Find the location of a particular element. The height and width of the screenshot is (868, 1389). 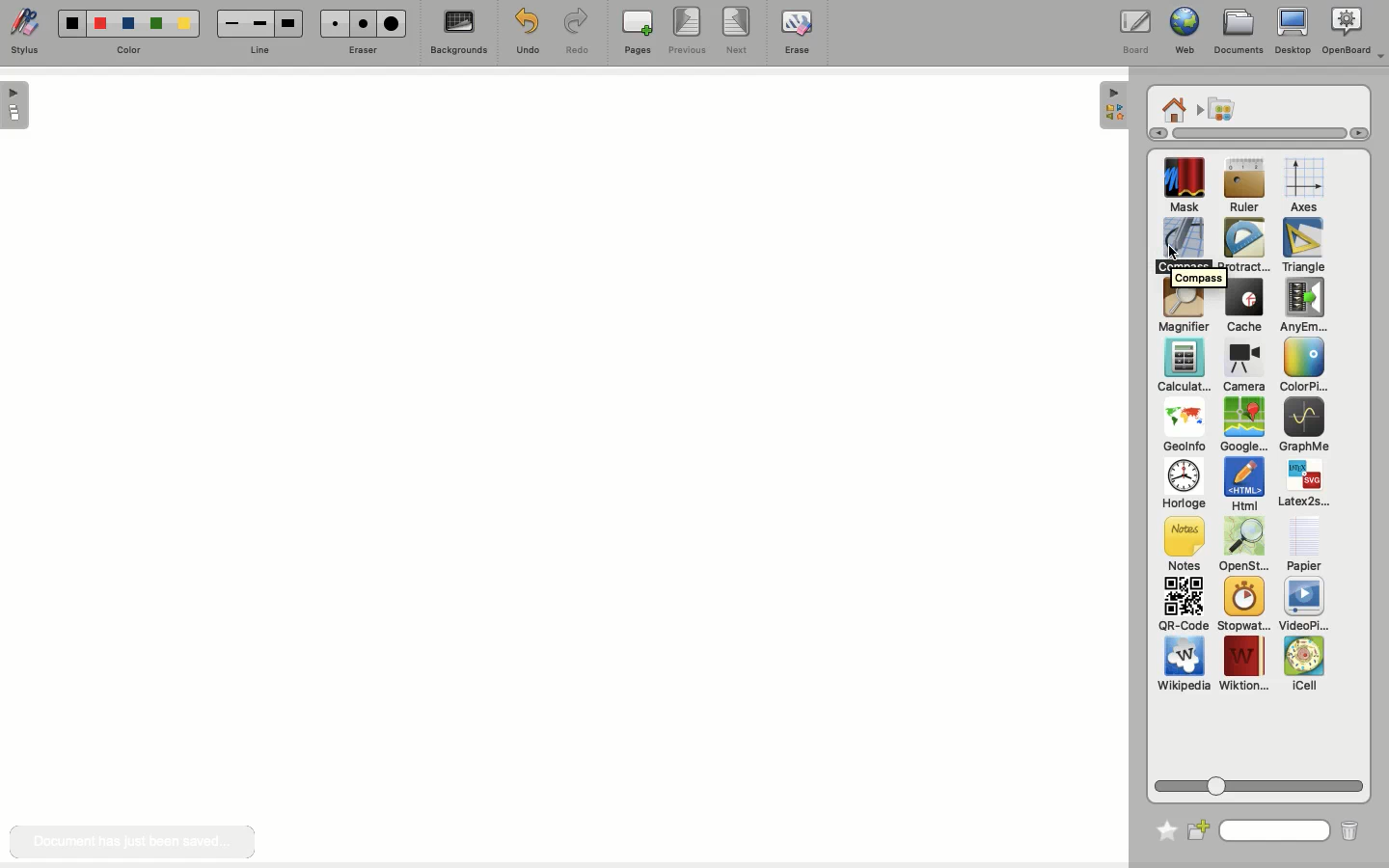

Horloge is located at coordinates (1183, 485).